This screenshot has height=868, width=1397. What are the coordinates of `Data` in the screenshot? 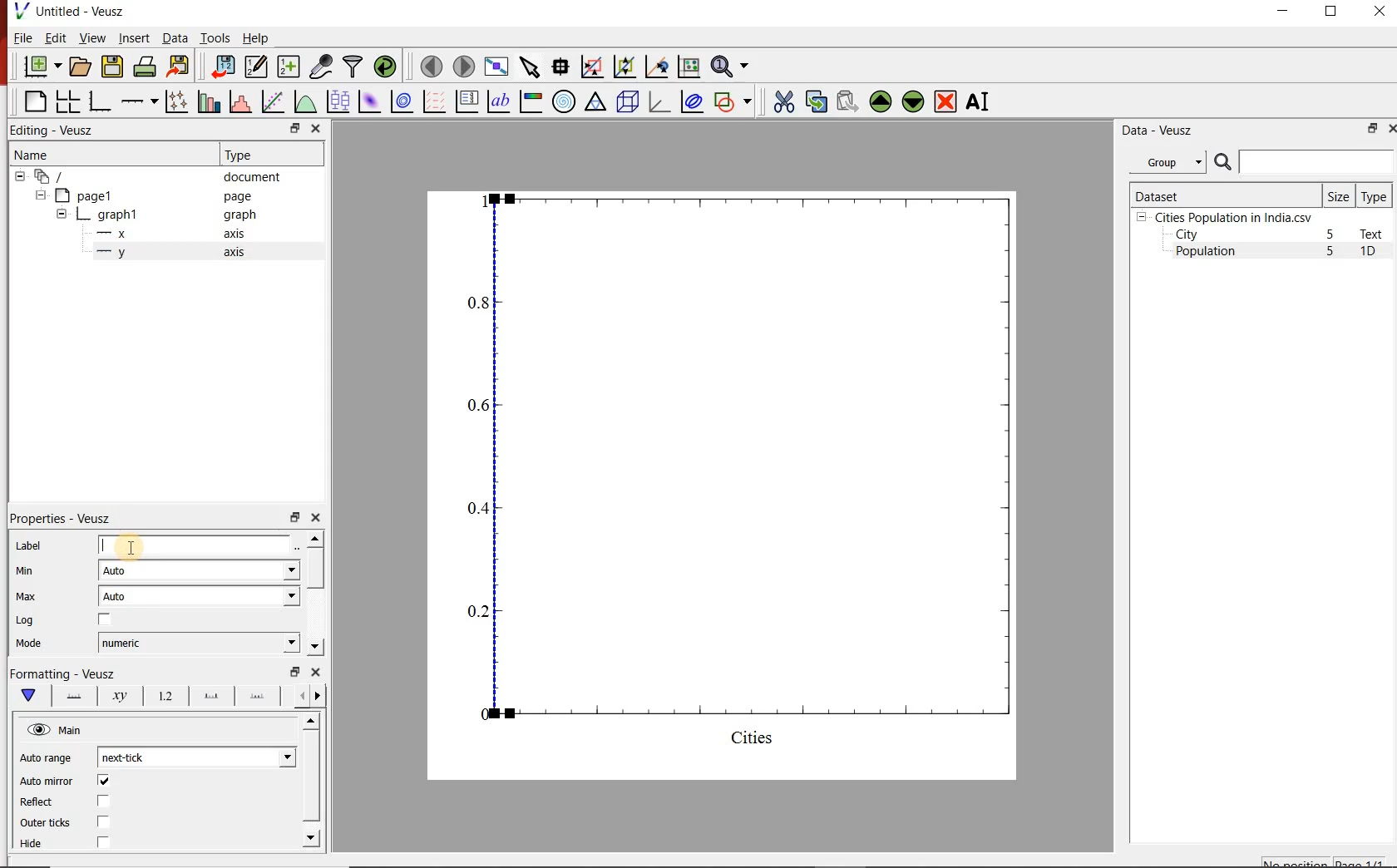 It's located at (175, 39).